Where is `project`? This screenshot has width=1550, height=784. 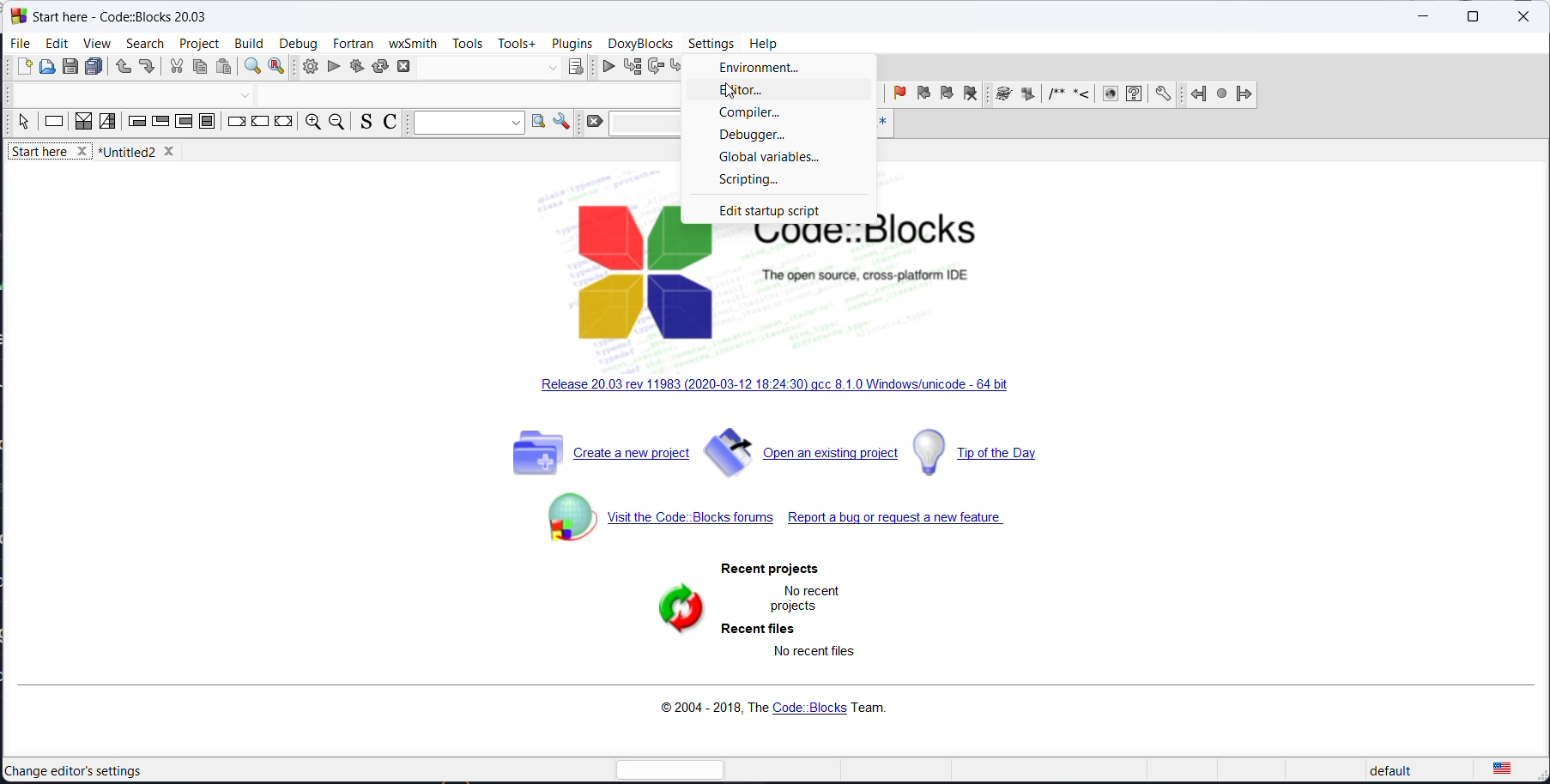
project is located at coordinates (200, 41).